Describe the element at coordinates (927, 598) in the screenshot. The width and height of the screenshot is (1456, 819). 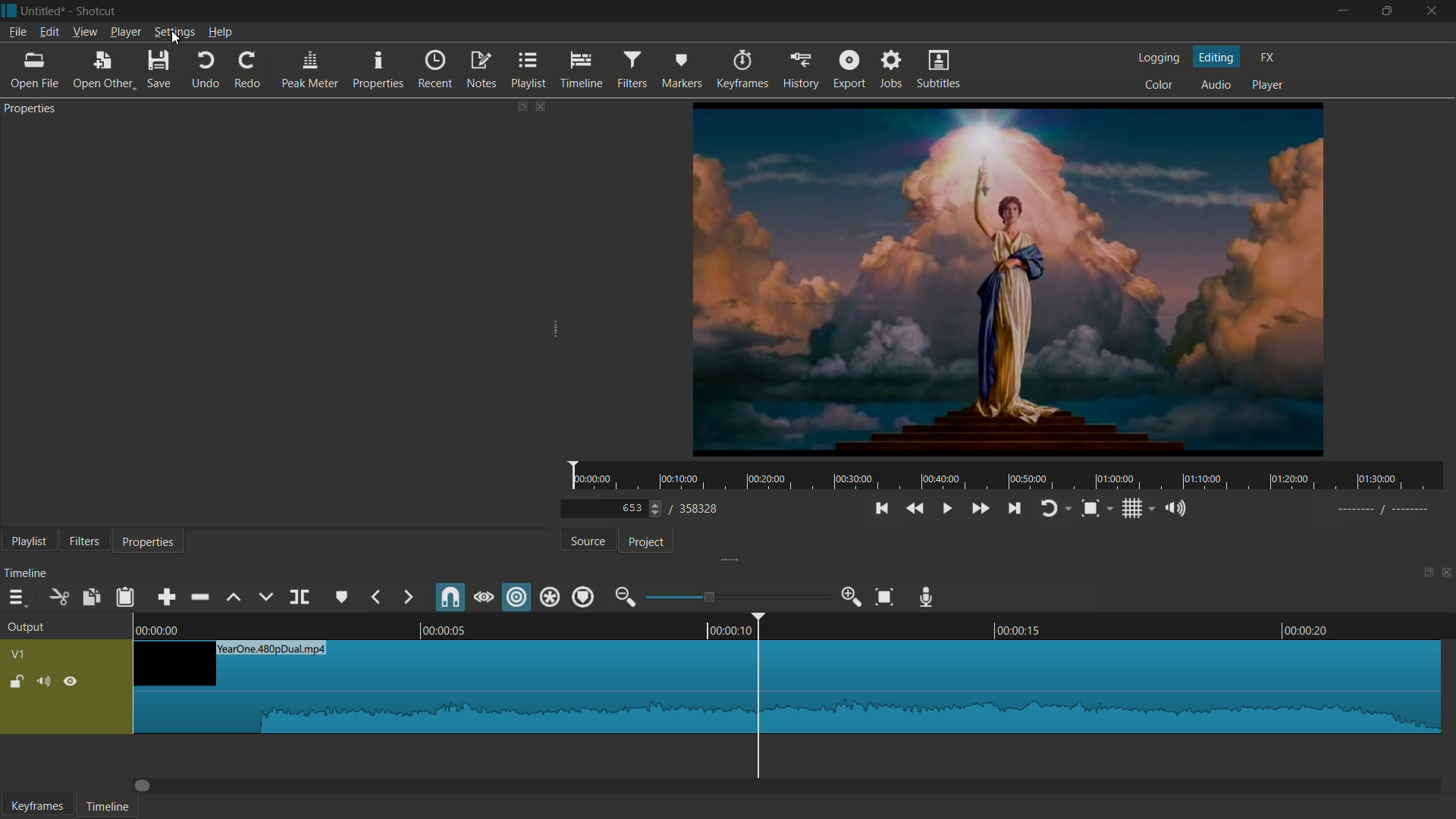
I see `record audio` at that location.